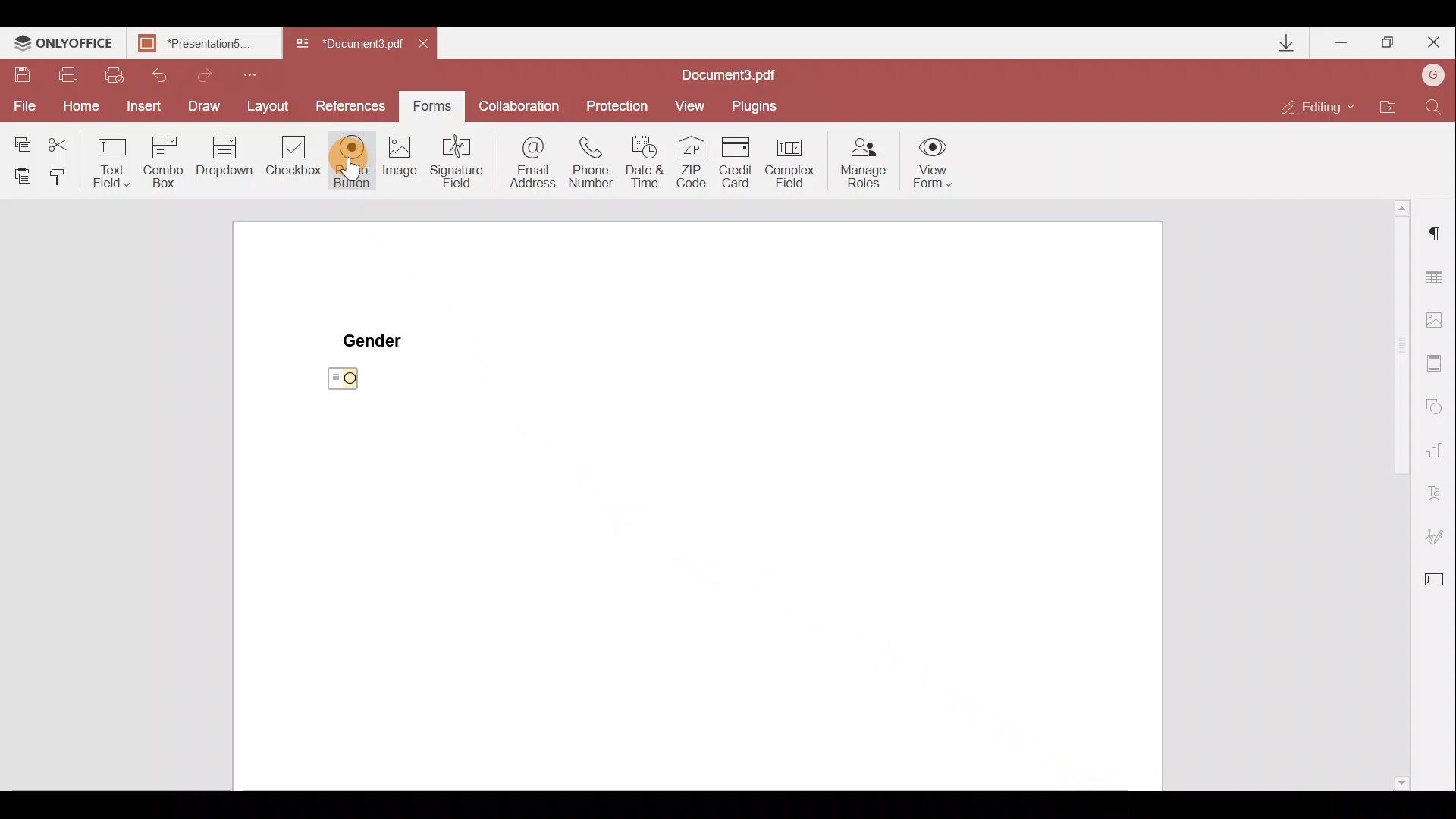 The image size is (1456, 819). Describe the element at coordinates (362, 165) in the screenshot. I see `Cursor` at that location.